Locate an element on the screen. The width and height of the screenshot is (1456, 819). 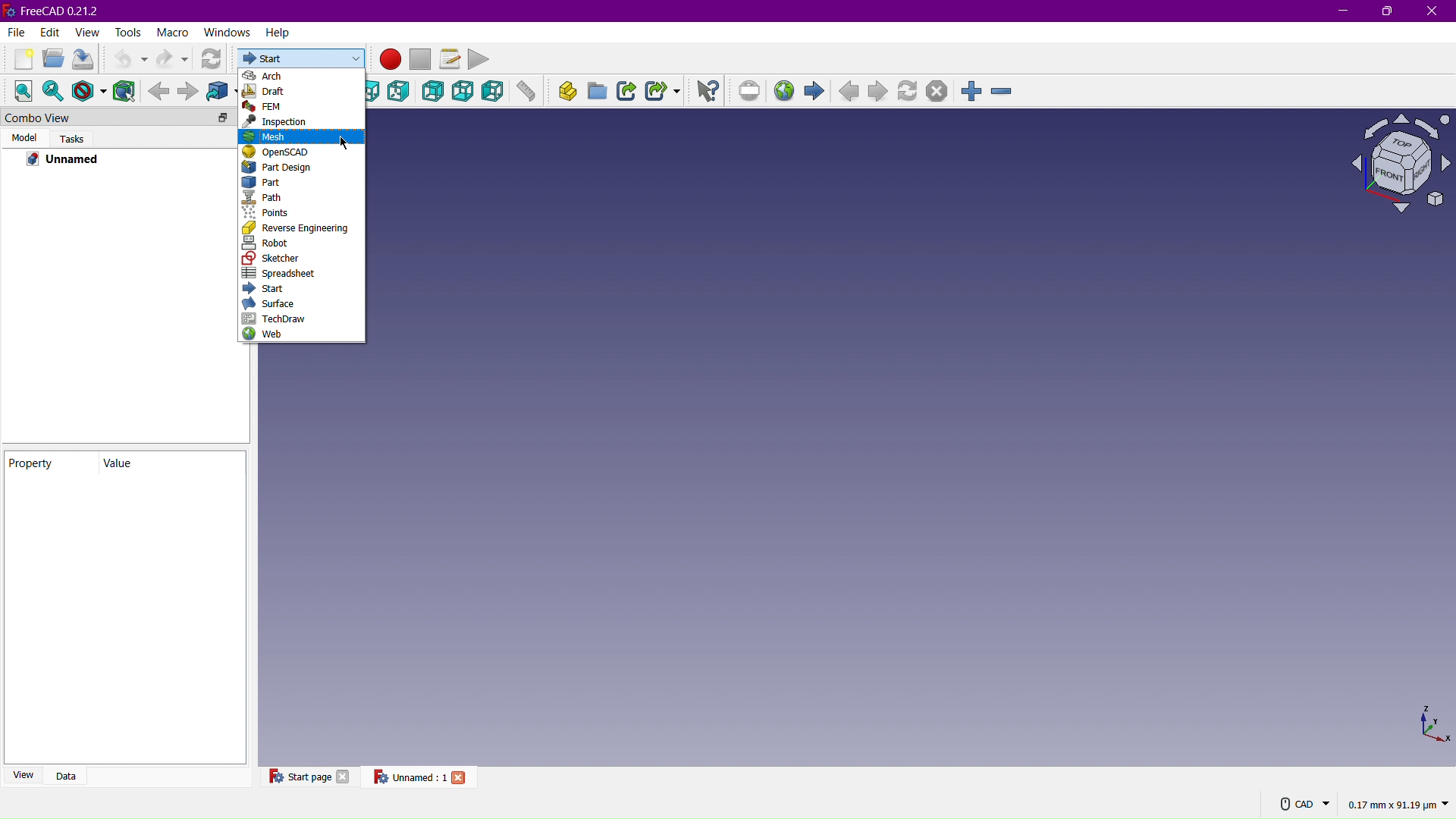
Backwards is located at coordinates (158, 90).